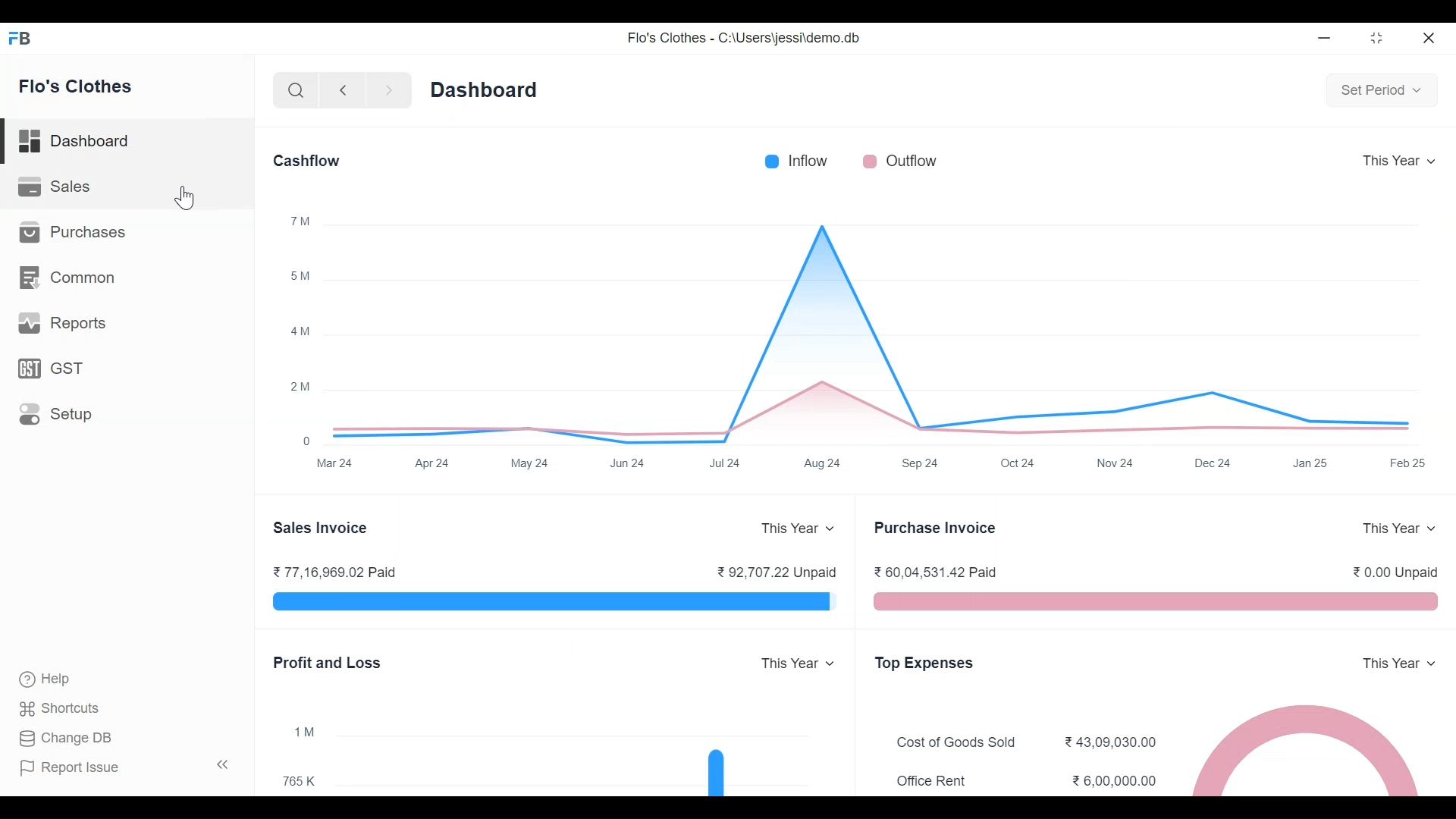 Image resolution: width=1456 pixels, height=819 pixels. I want to click on Sales Invoice, so click(323, 529).